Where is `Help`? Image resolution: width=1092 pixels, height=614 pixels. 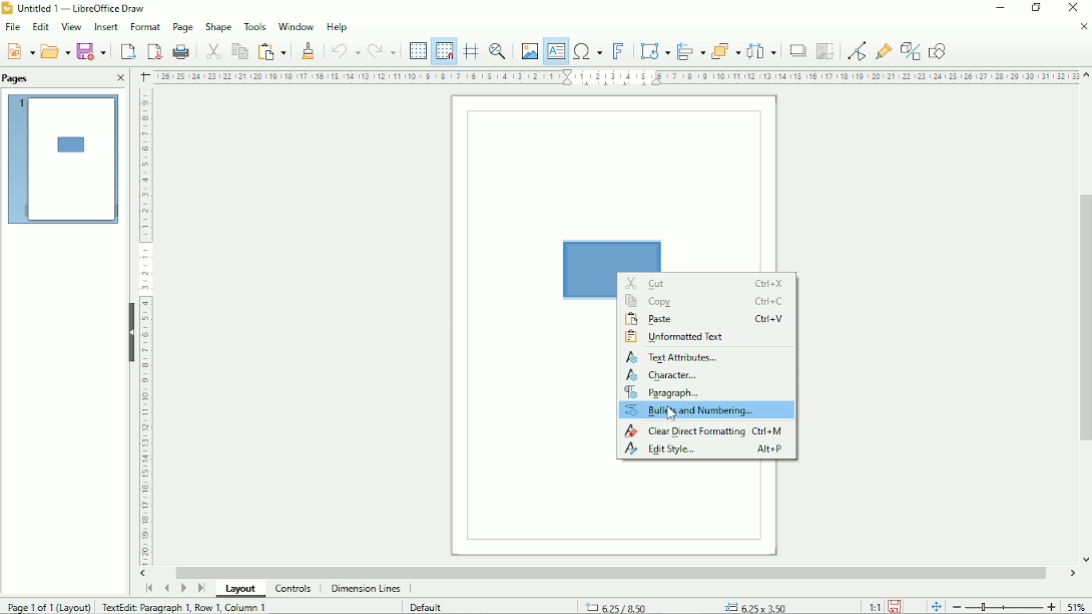
Help is located at coordinates (336, 27).